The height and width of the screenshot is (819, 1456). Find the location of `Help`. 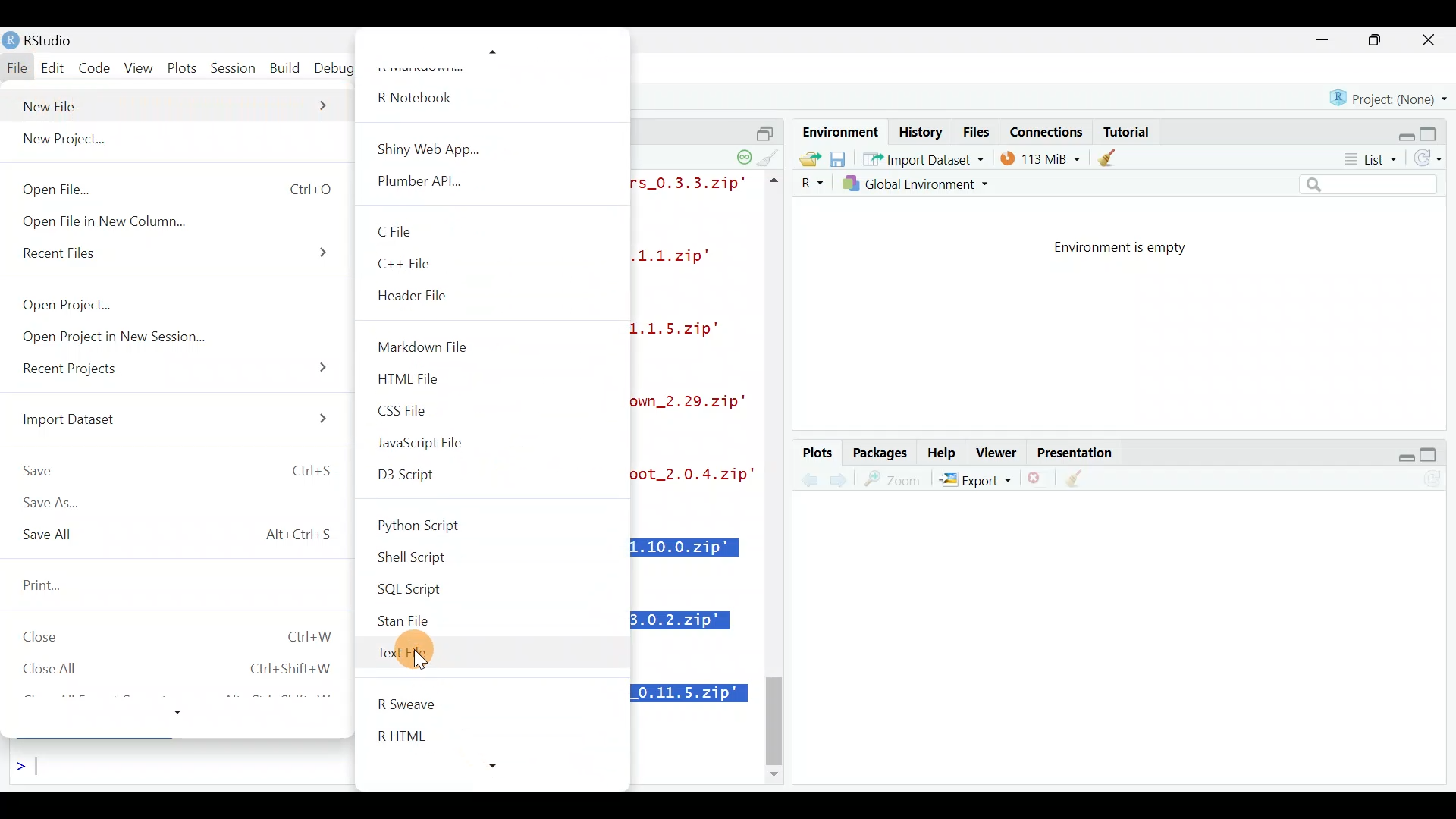

Help is located at coordinates (943, 451).